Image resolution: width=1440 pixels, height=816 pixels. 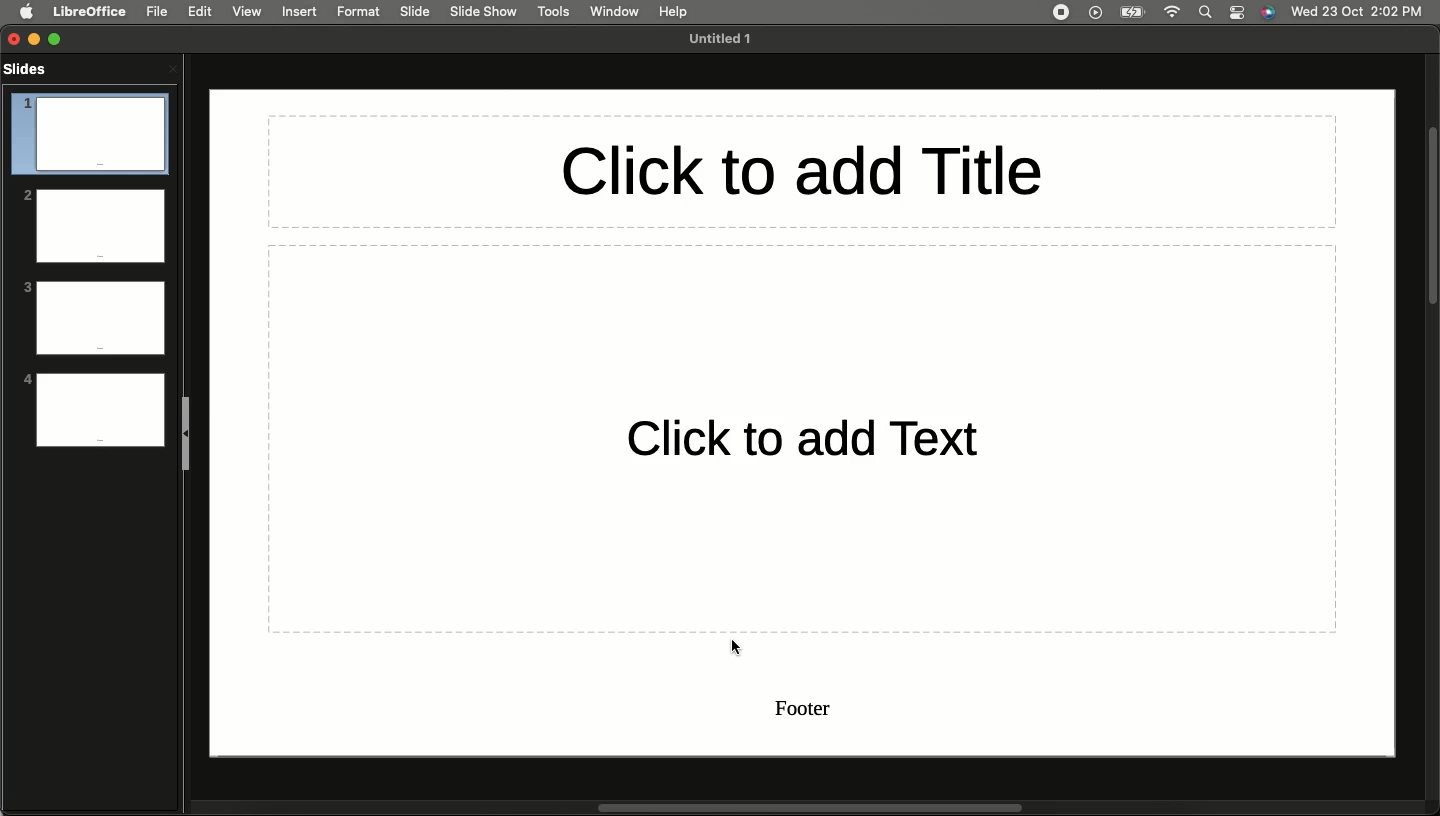 I want to click on LibreOffice, so click(x=88, y=11).